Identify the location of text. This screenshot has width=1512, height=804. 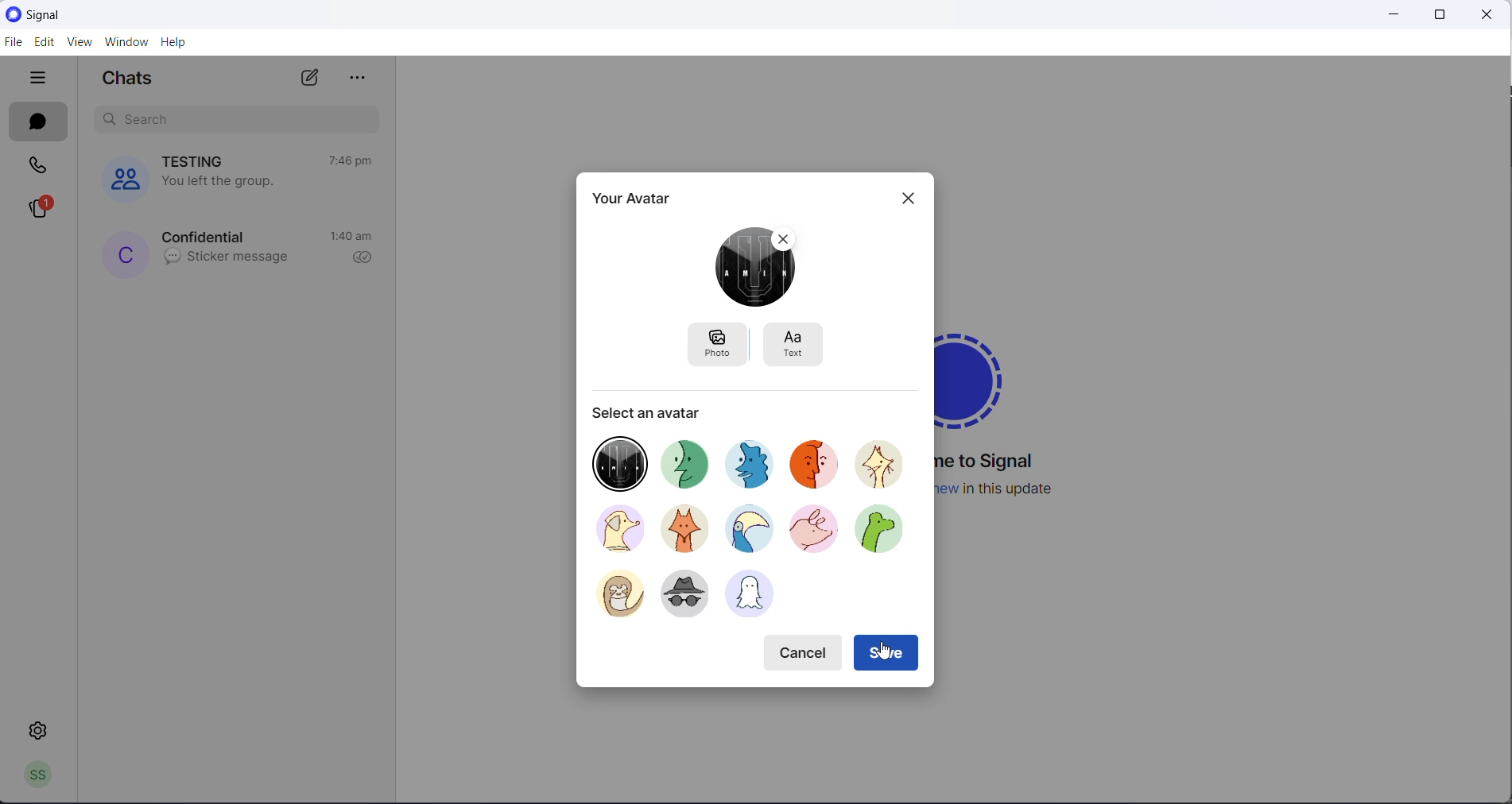
(798, 344).